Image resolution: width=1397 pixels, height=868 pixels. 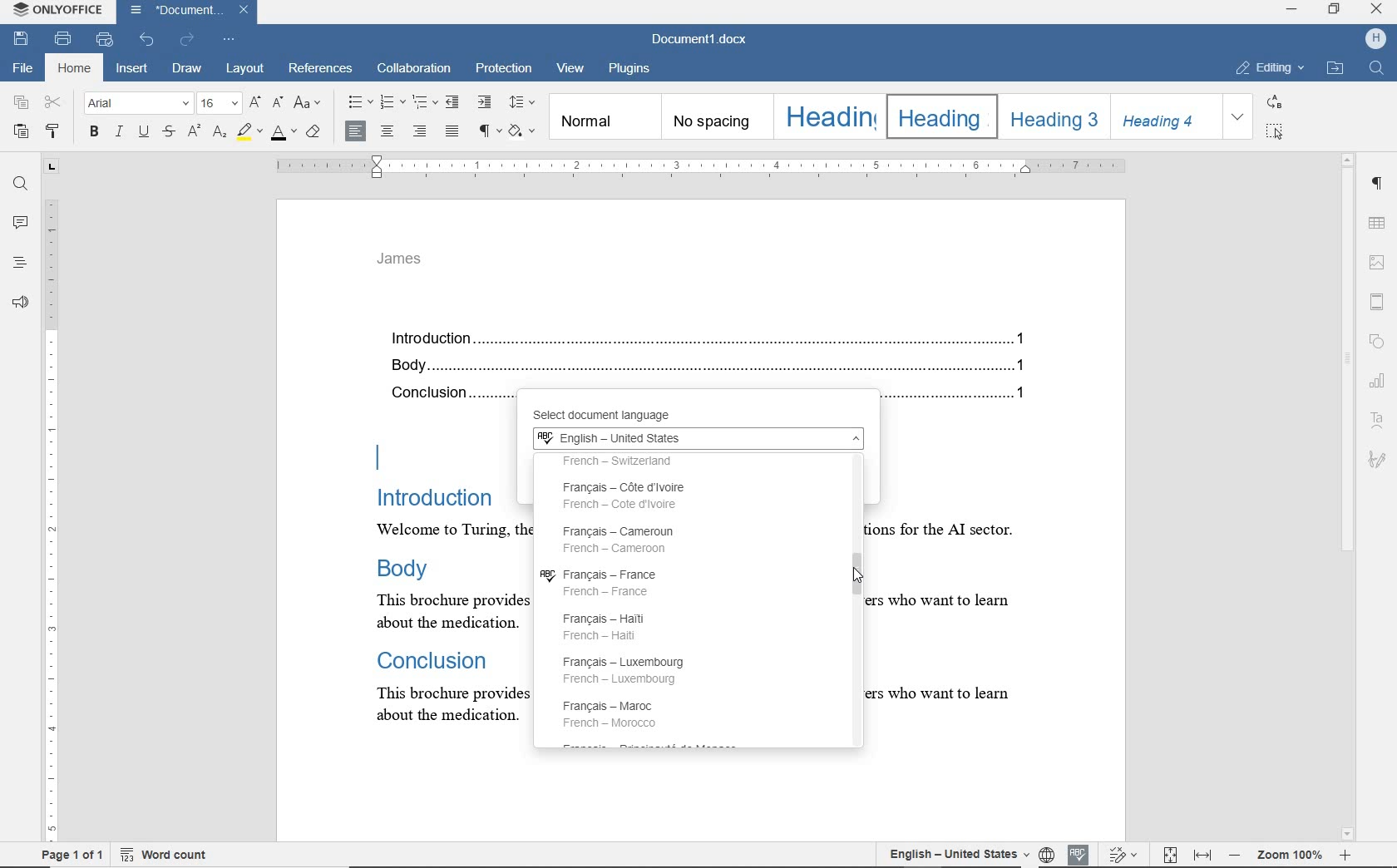 What do you see at coordinates (439, 559) in the screenshot?
I see `text` at bounding box center [439, 559].